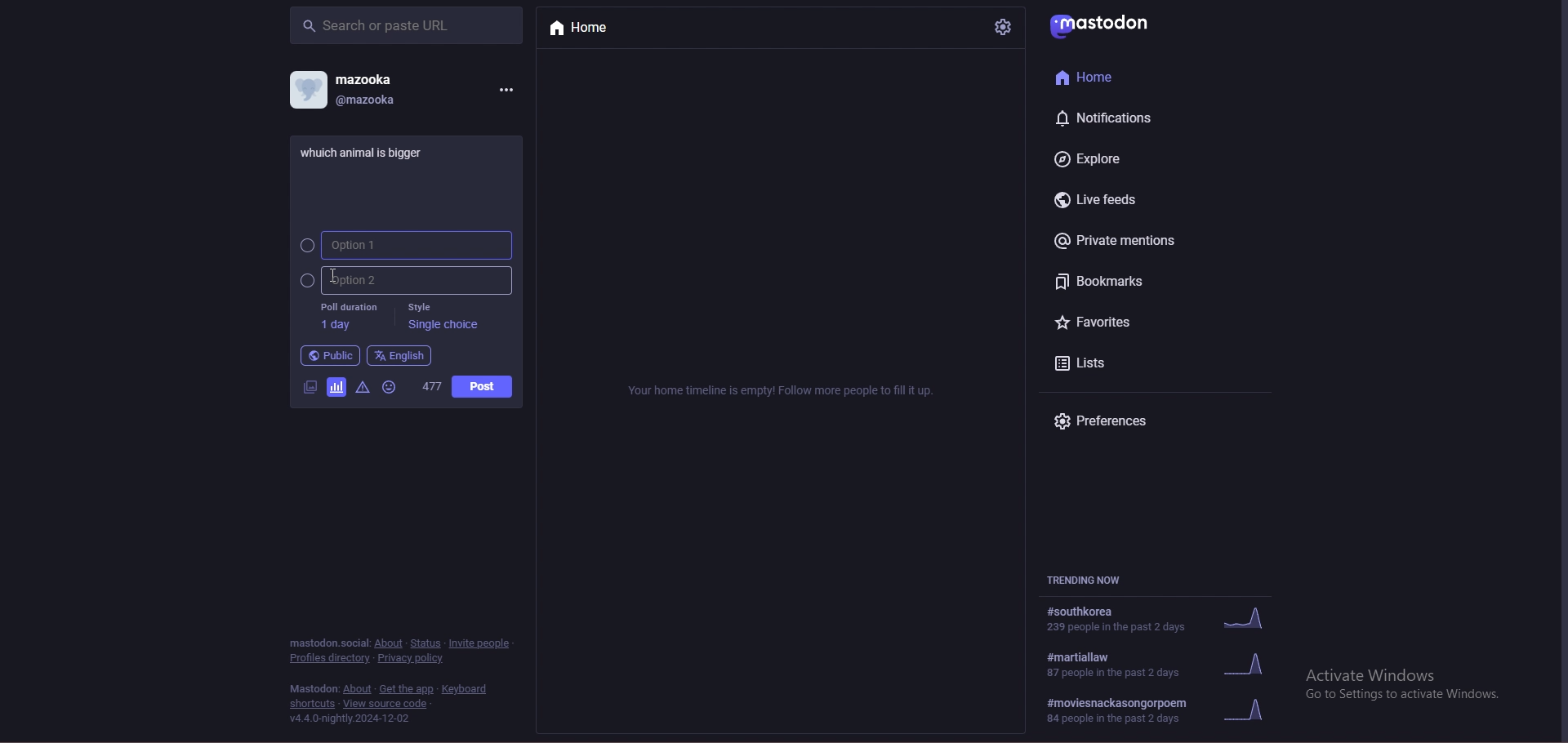 The height and width of the screenshot is (743, 1568). Describe the element at coordinates (357, 689) in the screenshot. I see `about` at that location.